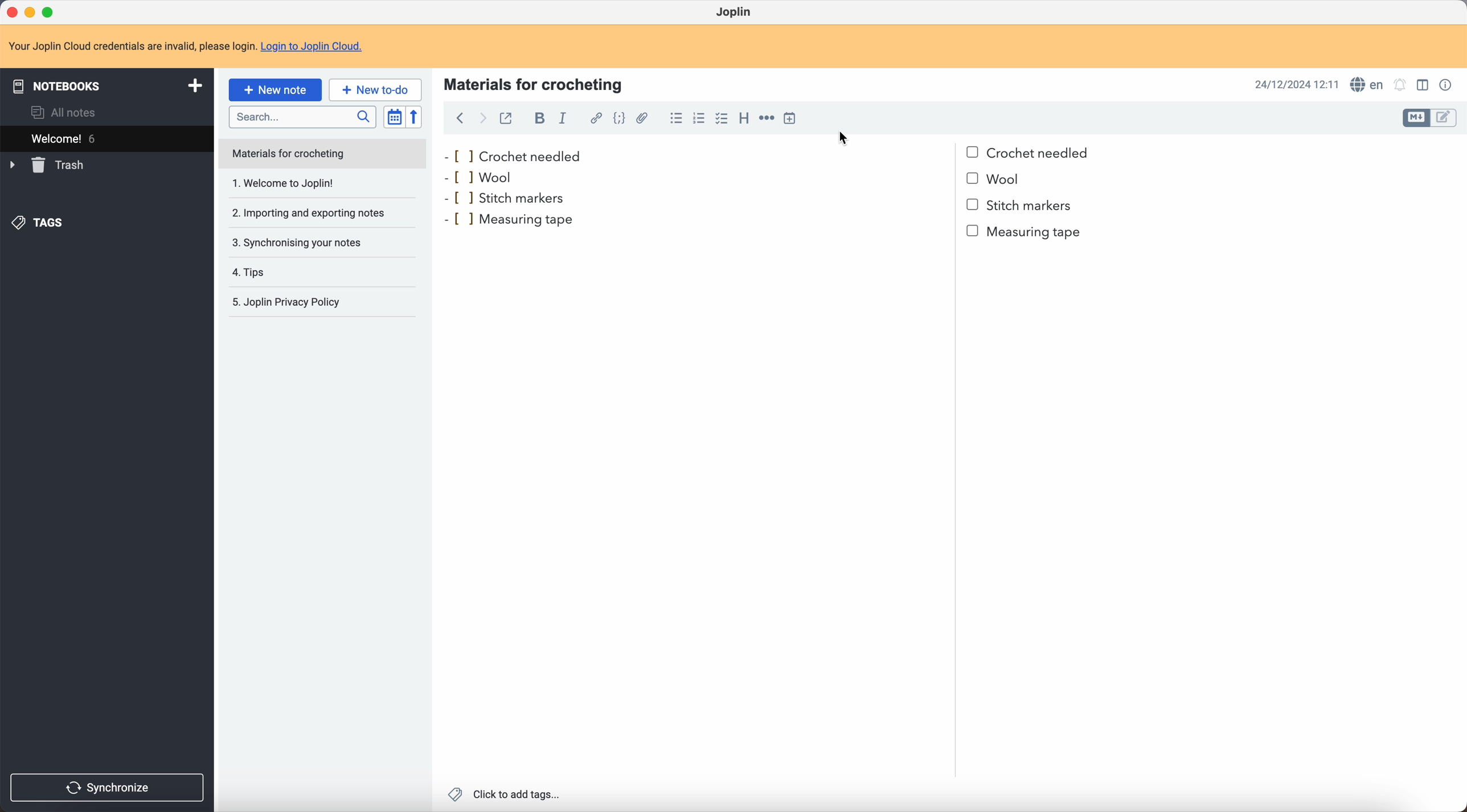  I want to click on note properties, so click(1447, 85).